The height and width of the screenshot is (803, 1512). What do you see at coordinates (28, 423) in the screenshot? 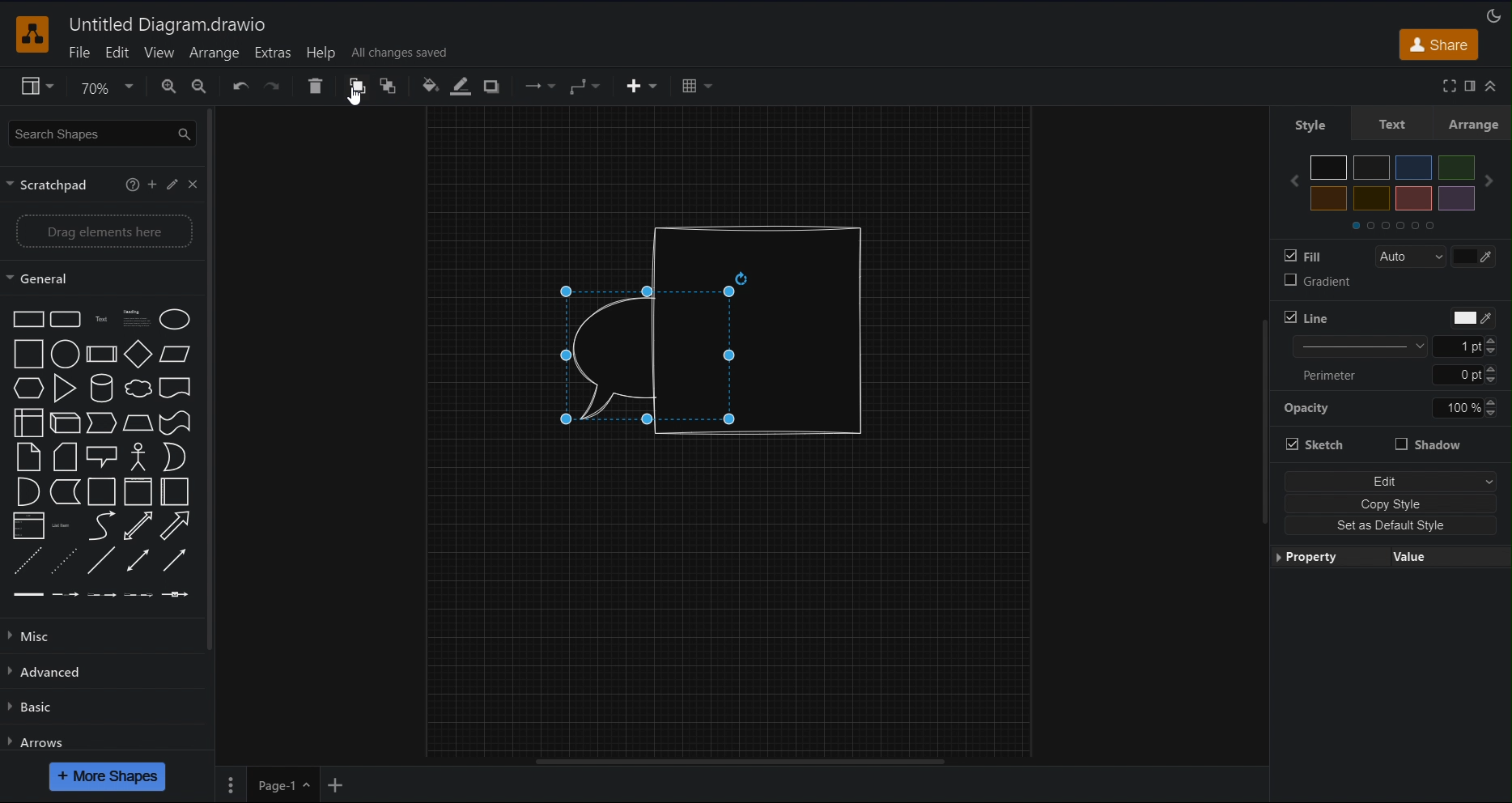
I see `Internal storage` at bounding box center [28, 423].